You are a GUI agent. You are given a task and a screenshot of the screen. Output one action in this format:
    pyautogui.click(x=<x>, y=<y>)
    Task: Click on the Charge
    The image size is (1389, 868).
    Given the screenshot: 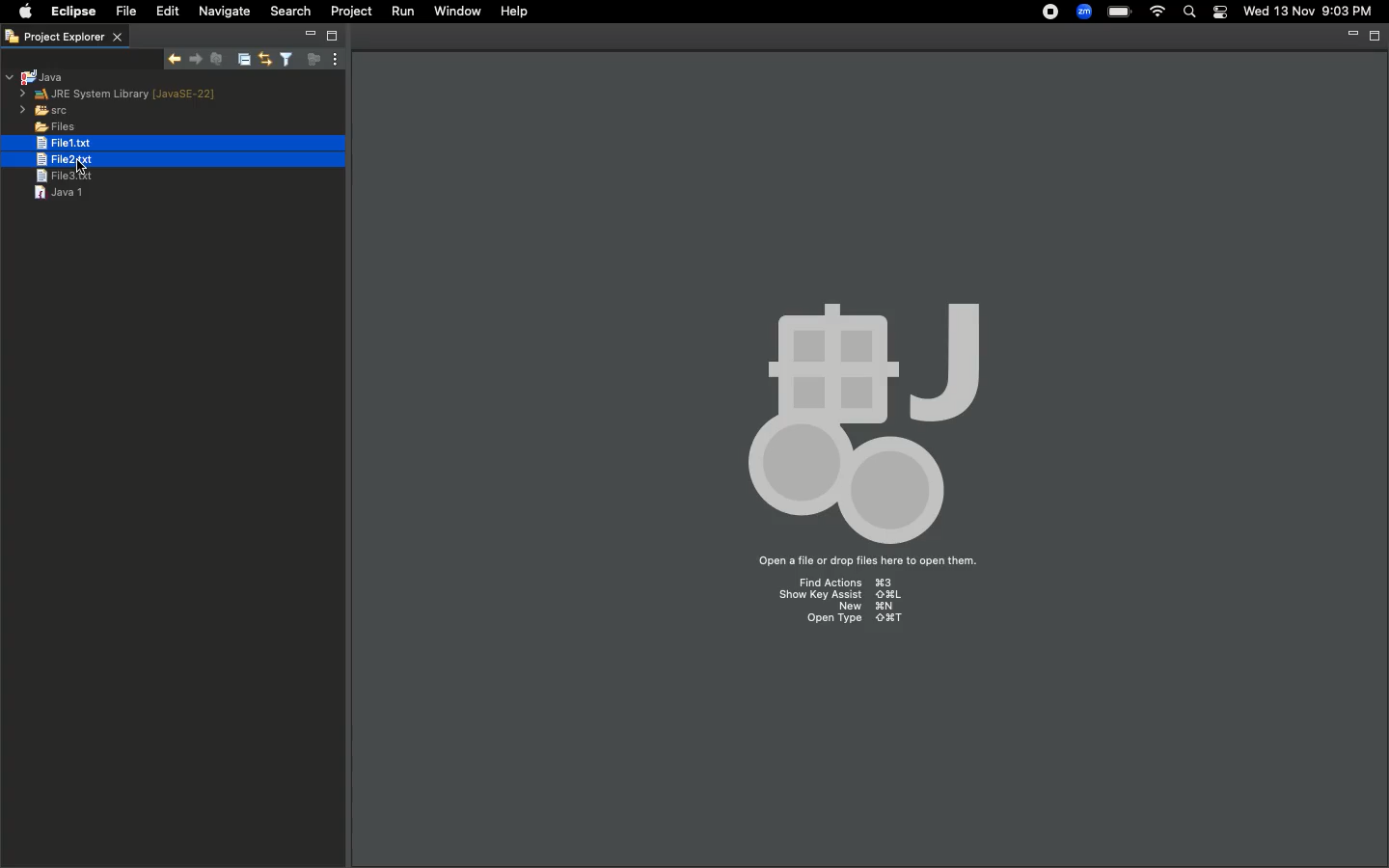 What is the action you would take?
    pyautogui.click(x=1118, y=12)
    